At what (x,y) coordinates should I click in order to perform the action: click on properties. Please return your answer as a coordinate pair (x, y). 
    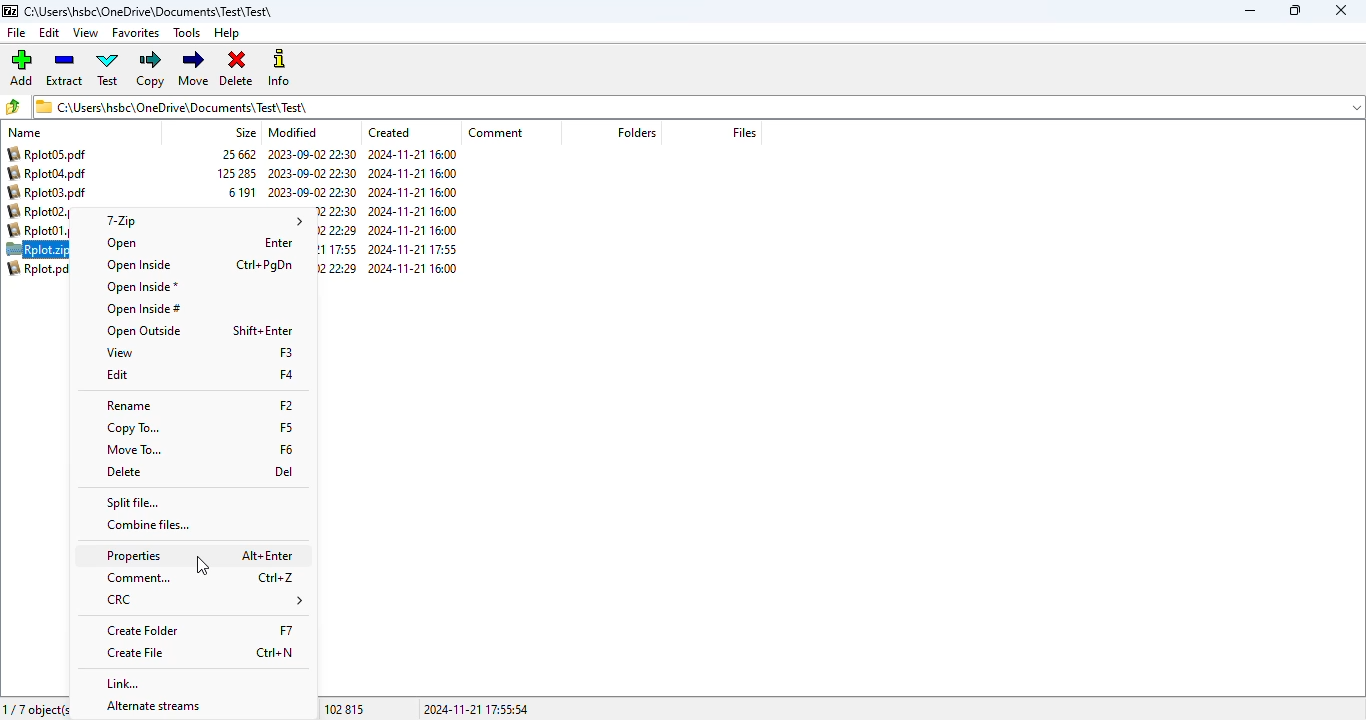
    Looking at the image, I should click on (133, 556).